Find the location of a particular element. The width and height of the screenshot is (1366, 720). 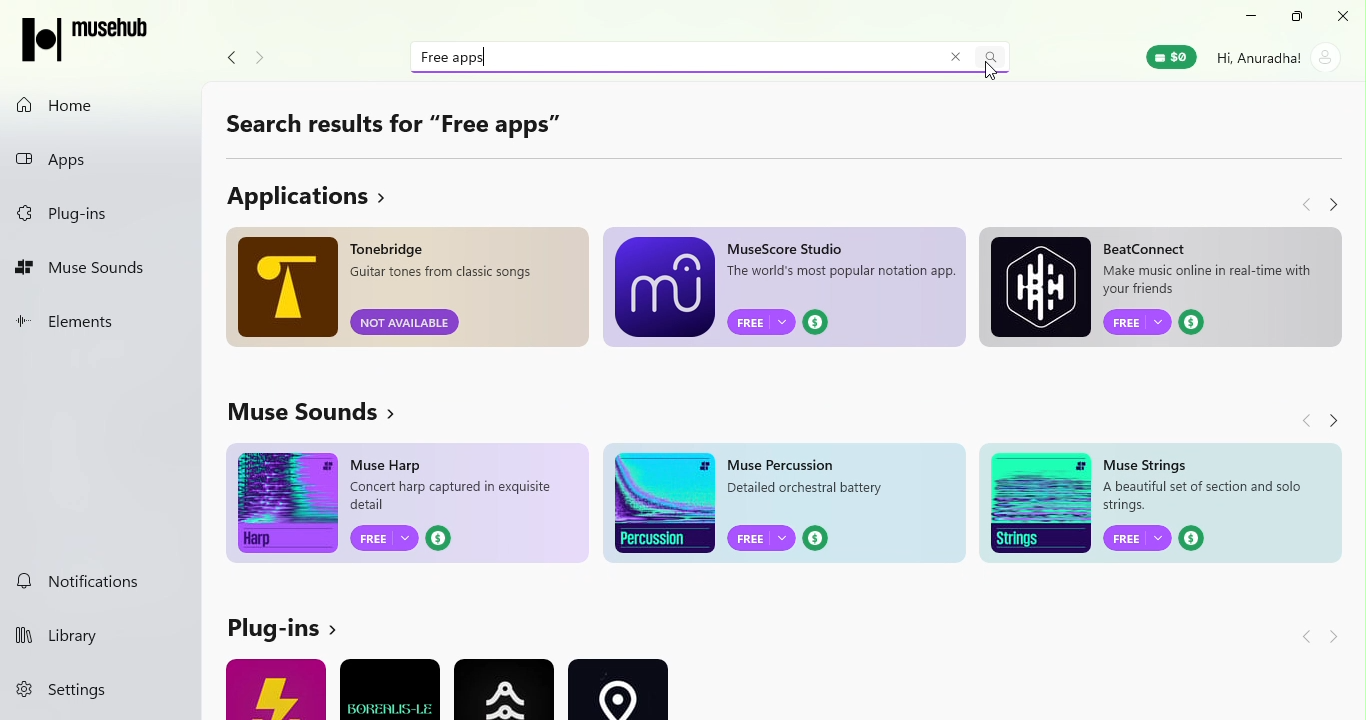

Muse Sounds is located at coordinates (94, 270).